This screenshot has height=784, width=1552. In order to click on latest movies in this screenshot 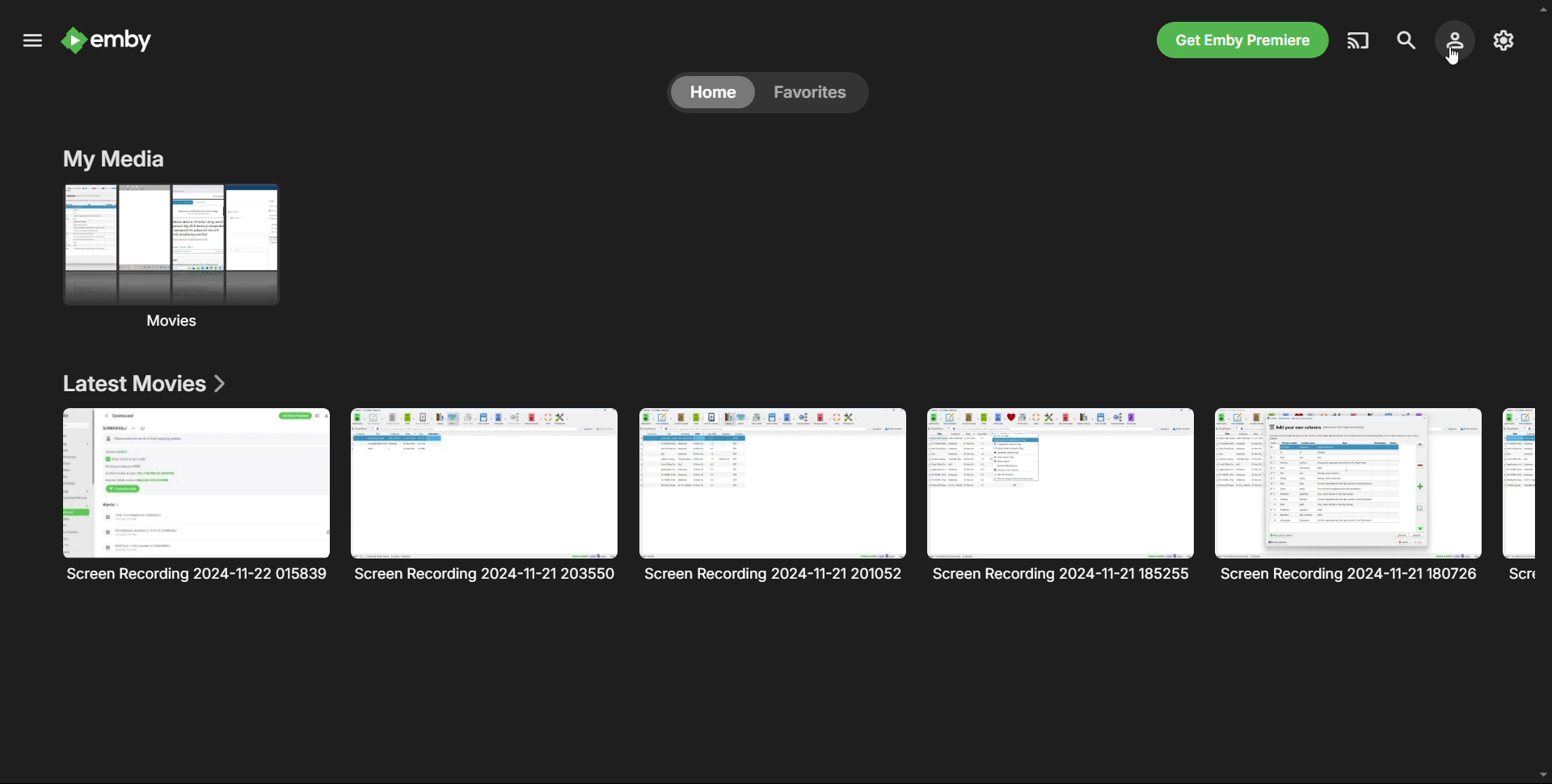, I will do `click(143, 384)`.